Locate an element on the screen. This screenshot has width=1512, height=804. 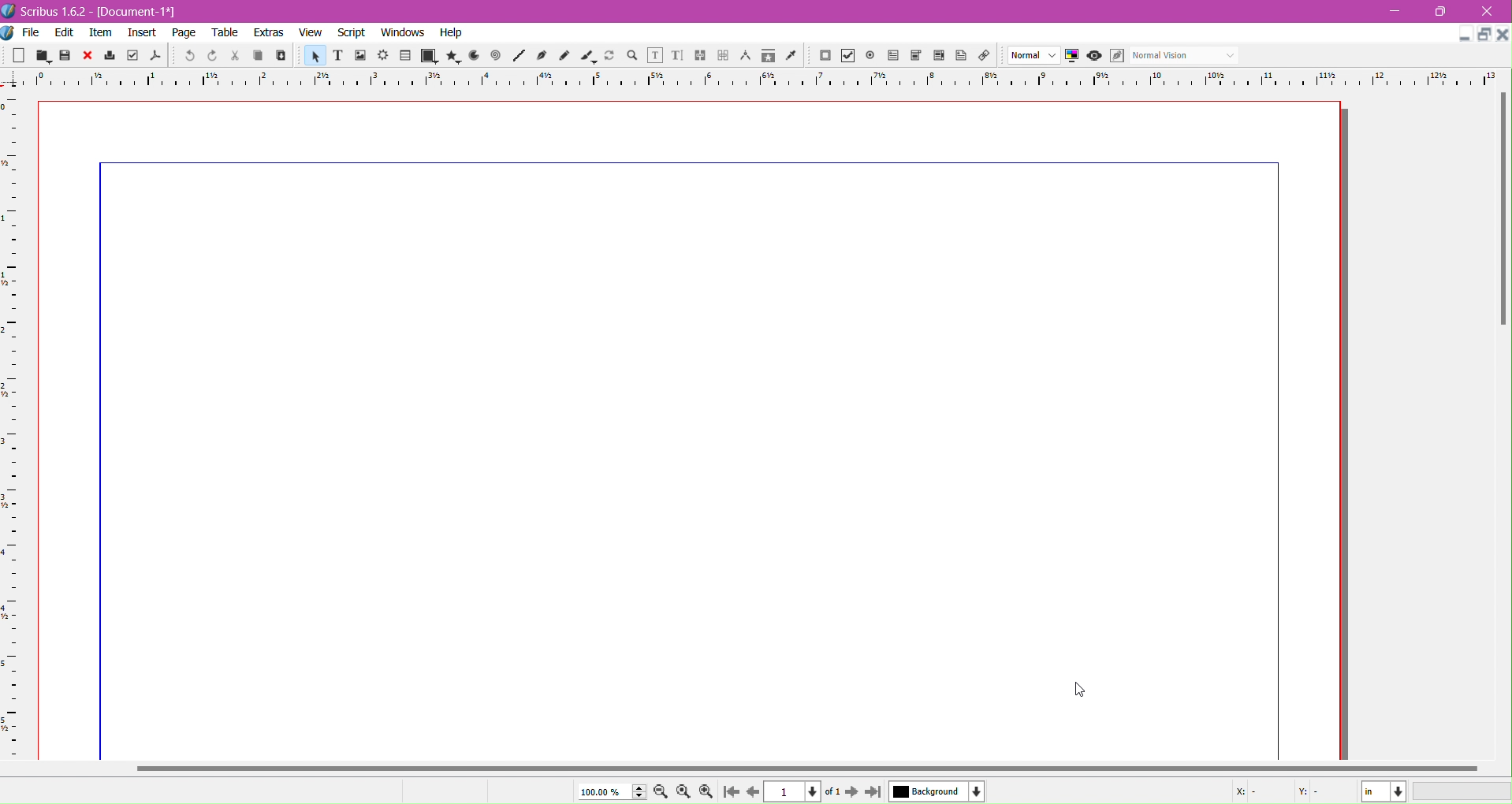
text annotations is located at coordinates (964, 56).